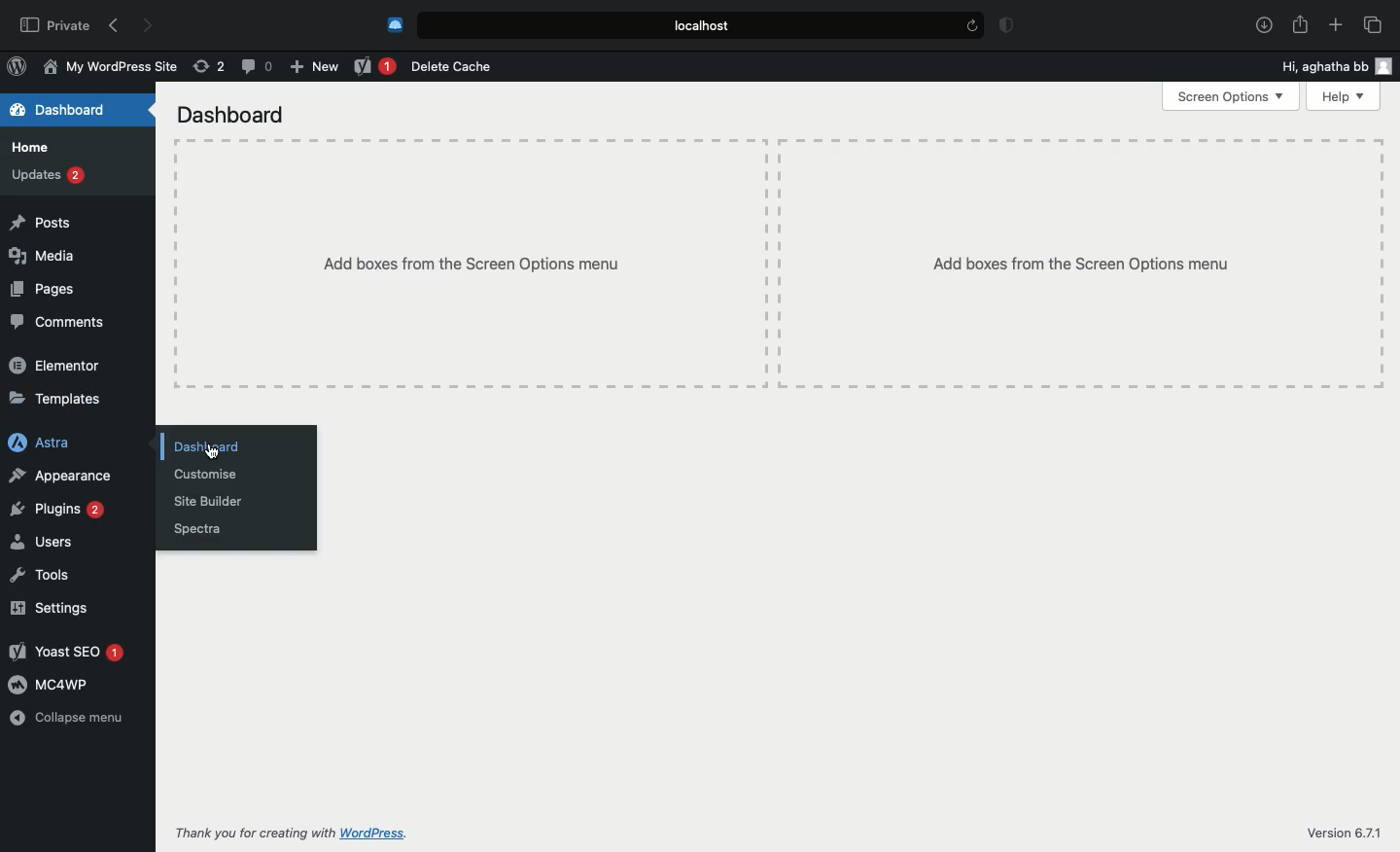 Image resolution: width=1400 pixels, height=852 pixels. I want to click on user icon, so click(1384, 62).